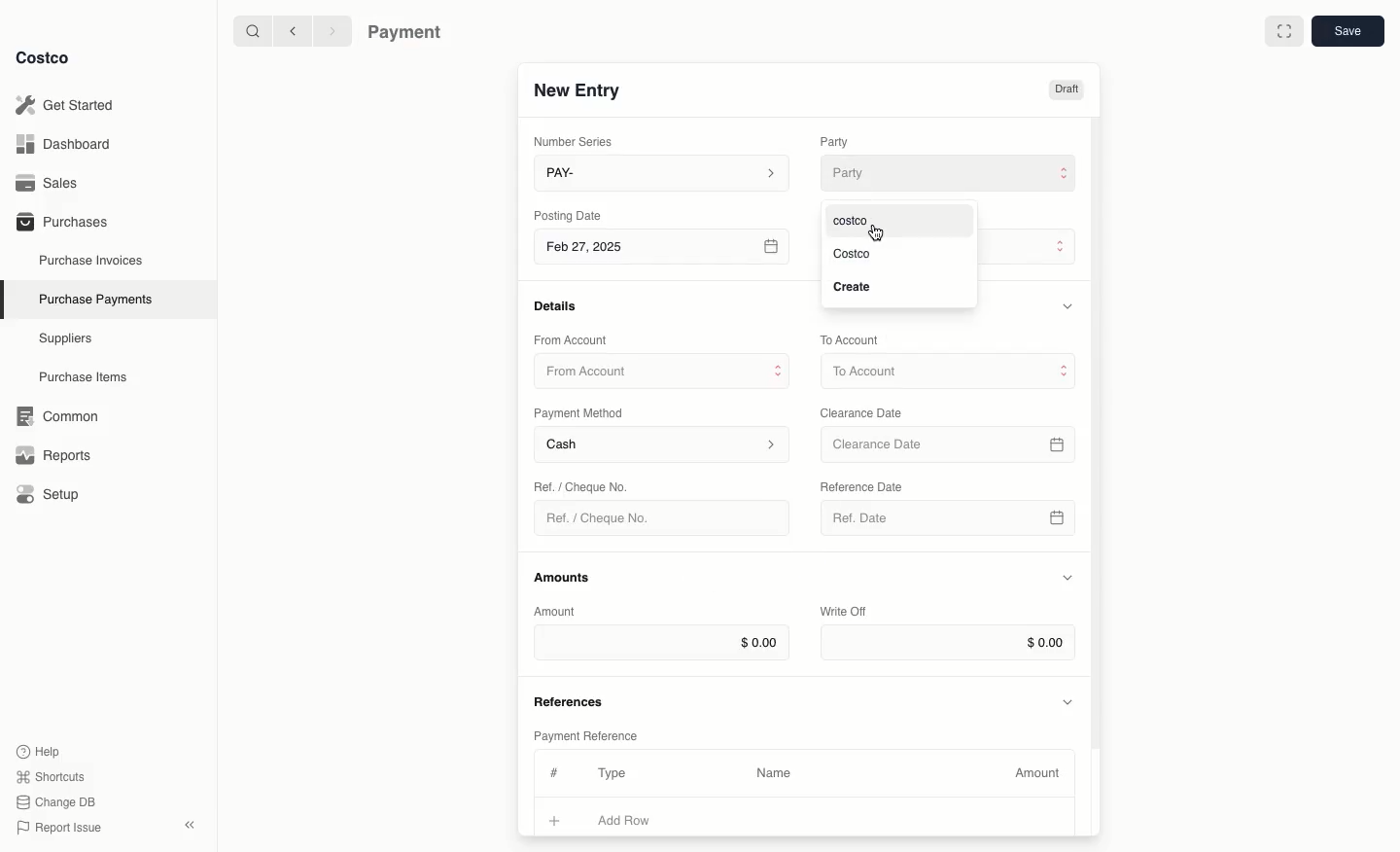 The width and height of the screenshot is (1400, 852). I want to click on $0.00, so click(948, 643).